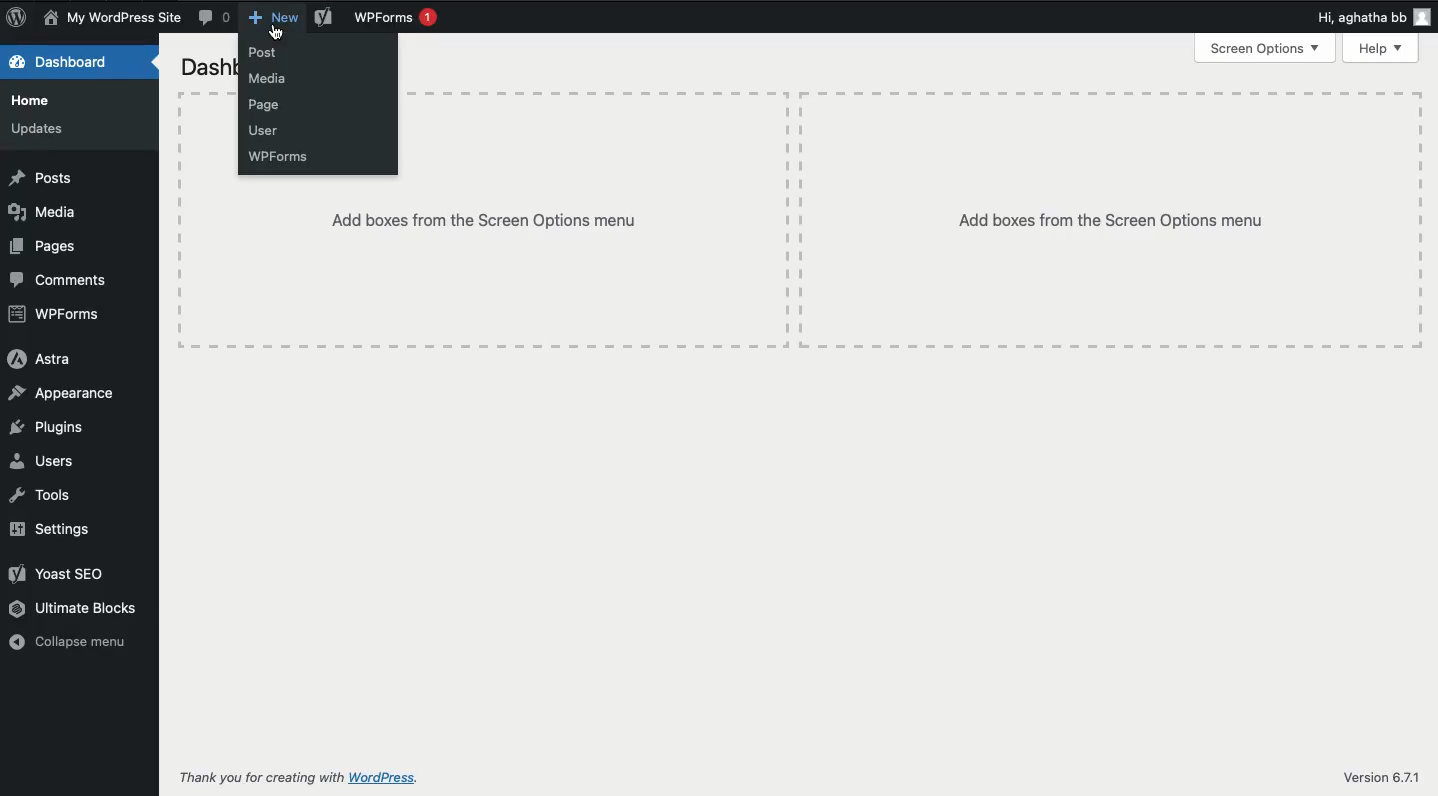 The height and width of the screenshot is (796, 1438). I want to click on Ultimate blocks, so click(74, 609).